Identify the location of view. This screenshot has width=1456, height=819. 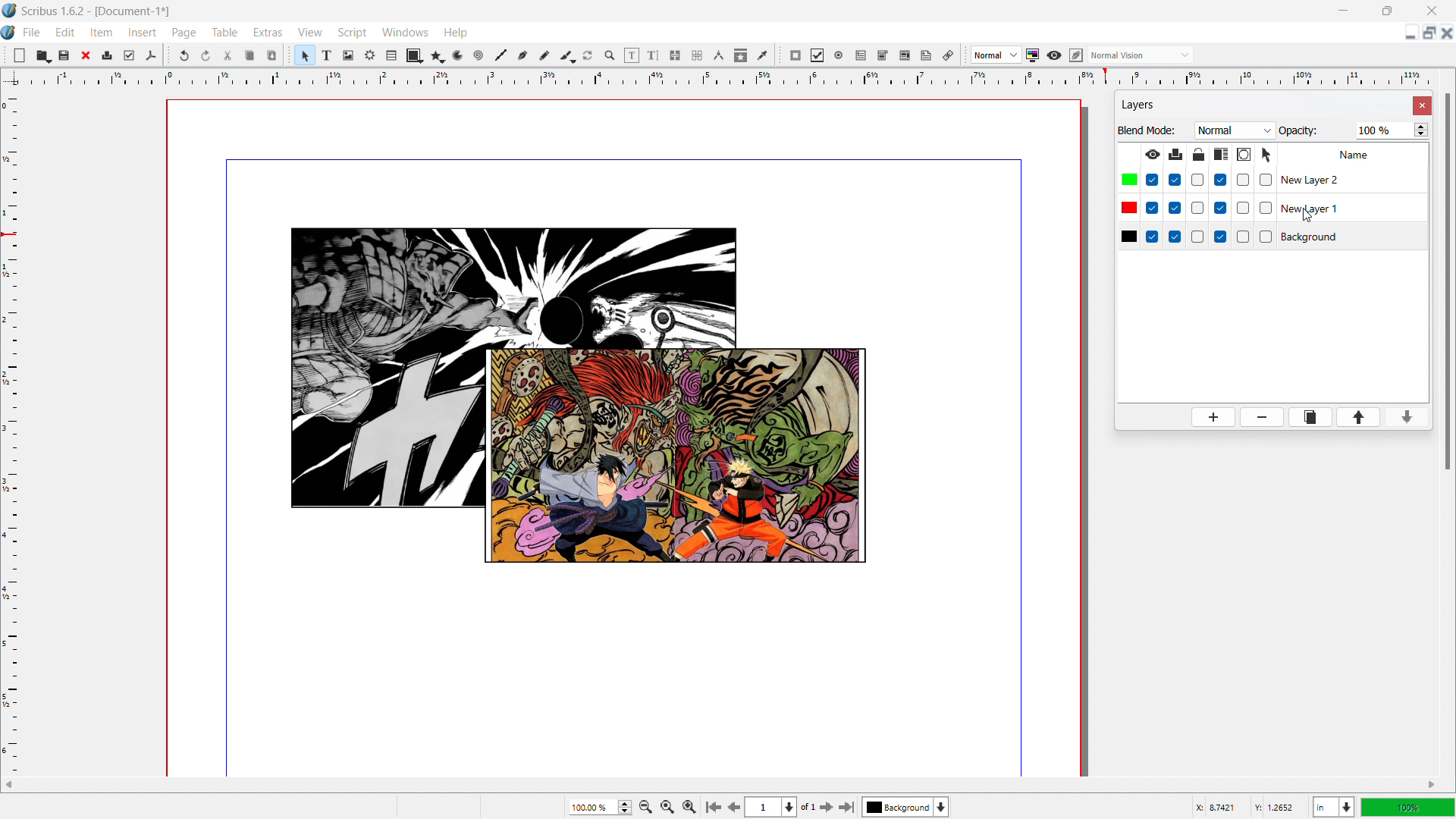
(309, 32).